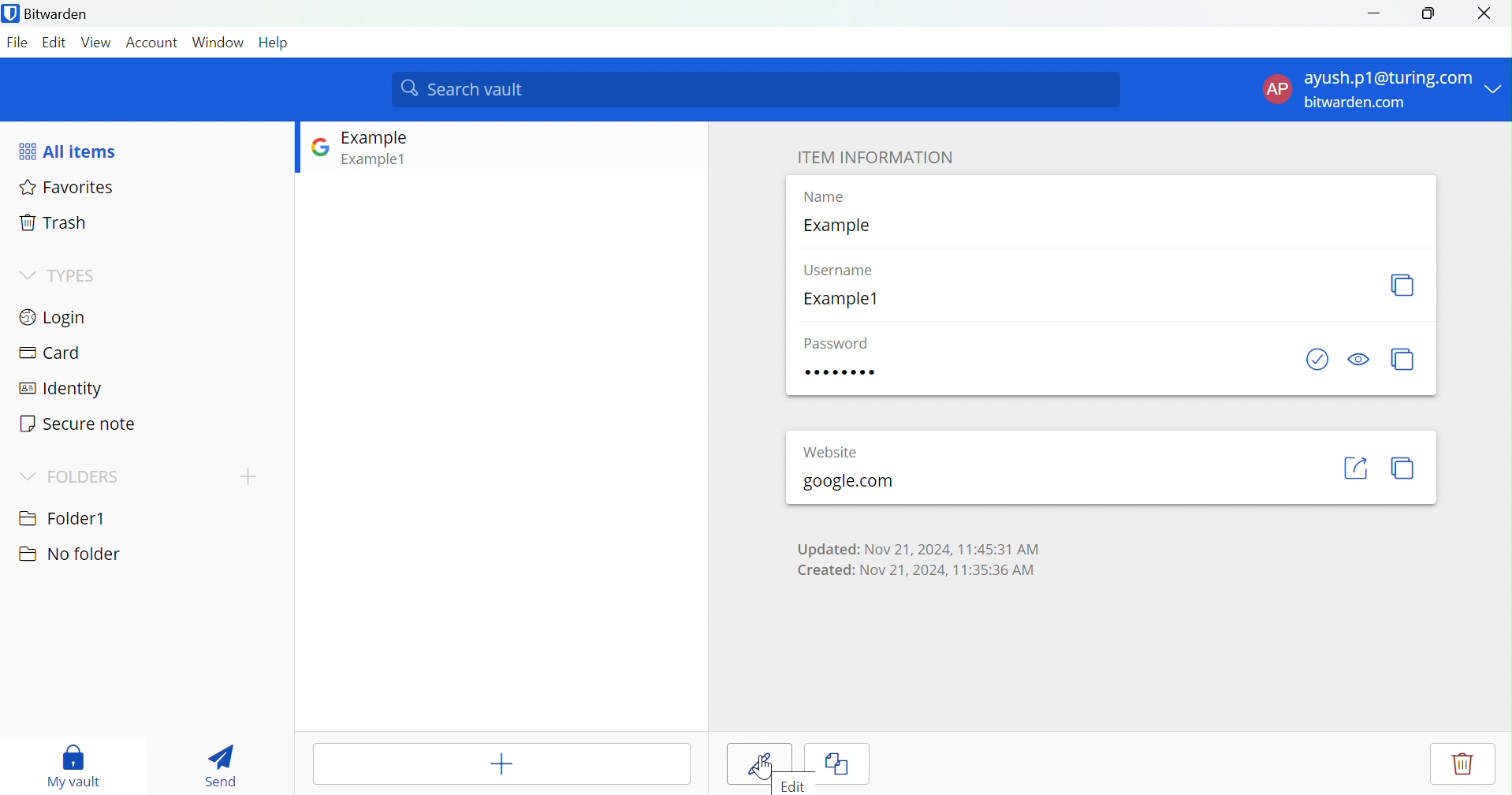 This screenshot has width=1512, height=795. Describe the element at coordinates (838, 342) in the screenshot. I see `Password` at that location.